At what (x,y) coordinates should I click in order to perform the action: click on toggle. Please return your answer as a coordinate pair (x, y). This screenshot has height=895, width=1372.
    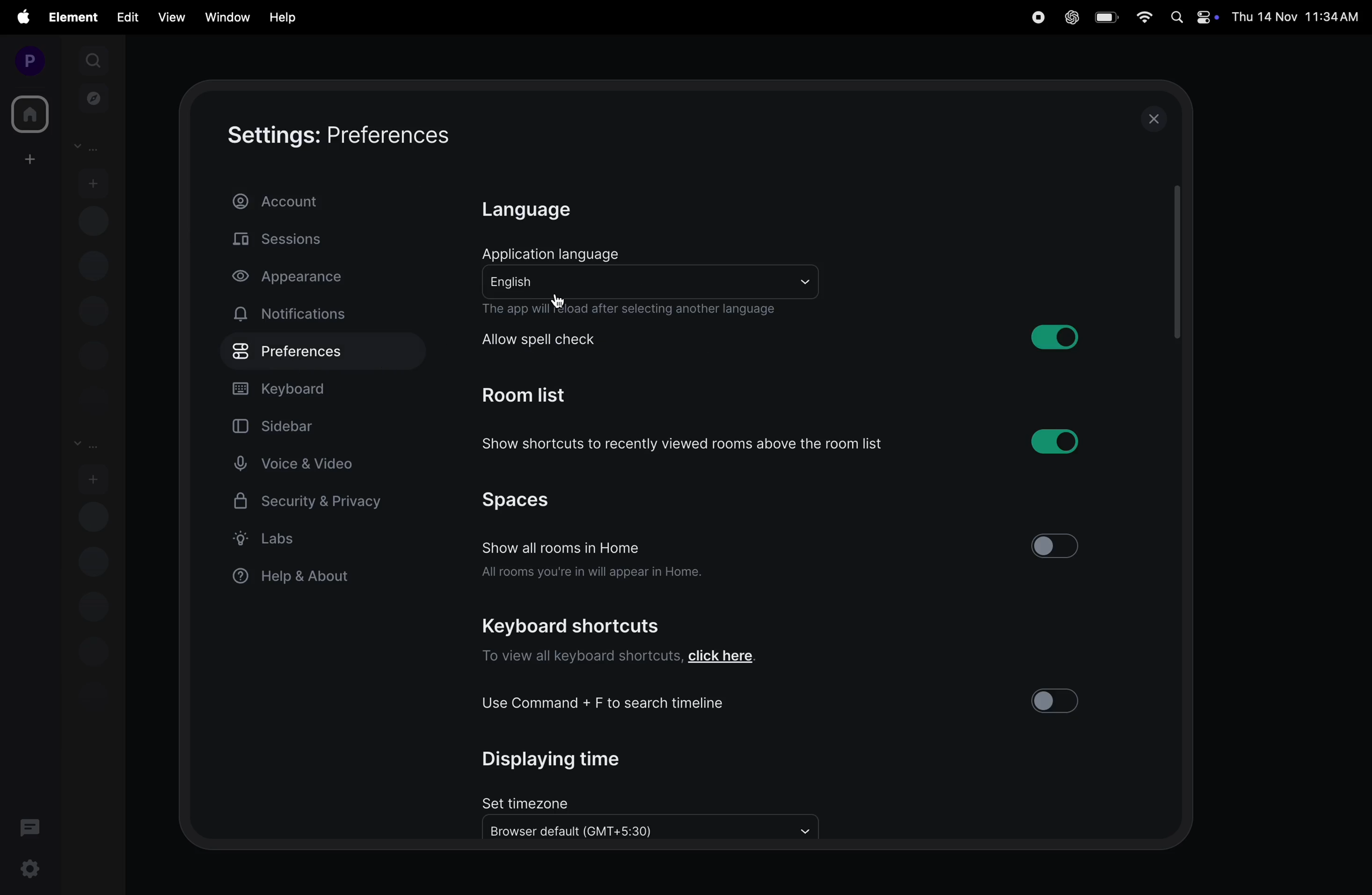
    Looking at the image, I should click on (1061, 336).